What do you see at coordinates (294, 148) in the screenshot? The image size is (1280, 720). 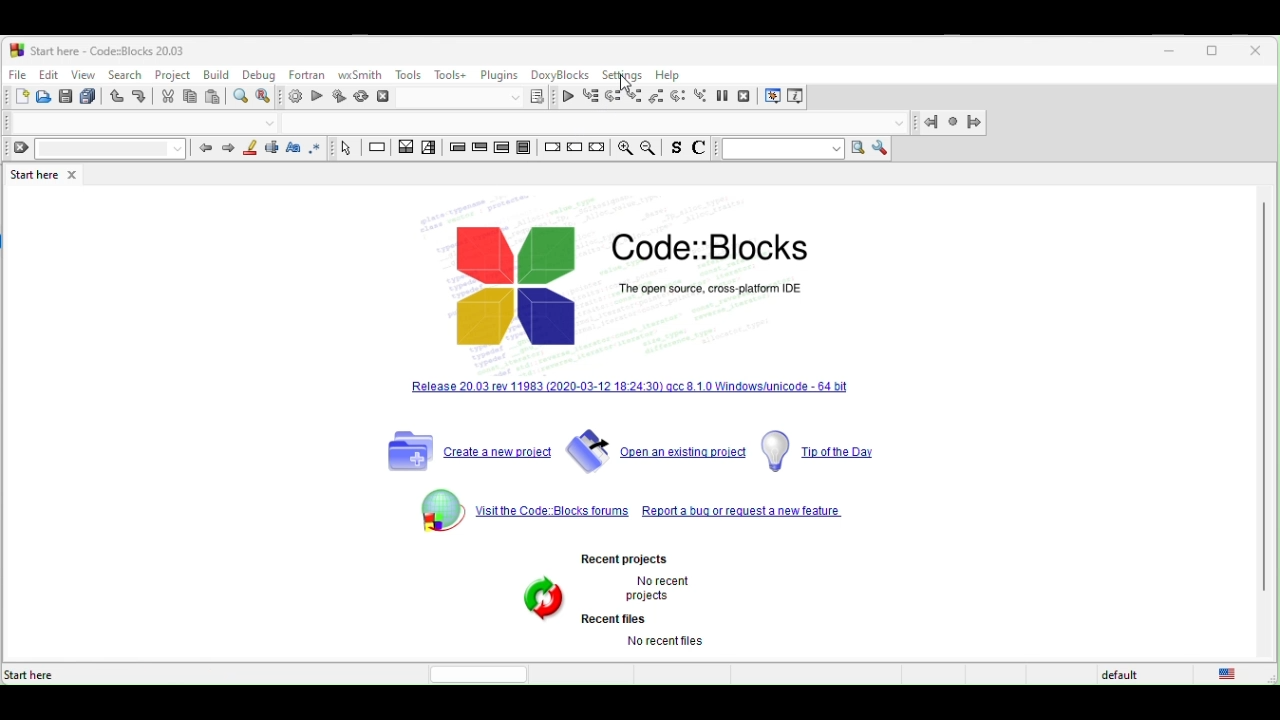 I see `match case` at bounding box center [294, 148].